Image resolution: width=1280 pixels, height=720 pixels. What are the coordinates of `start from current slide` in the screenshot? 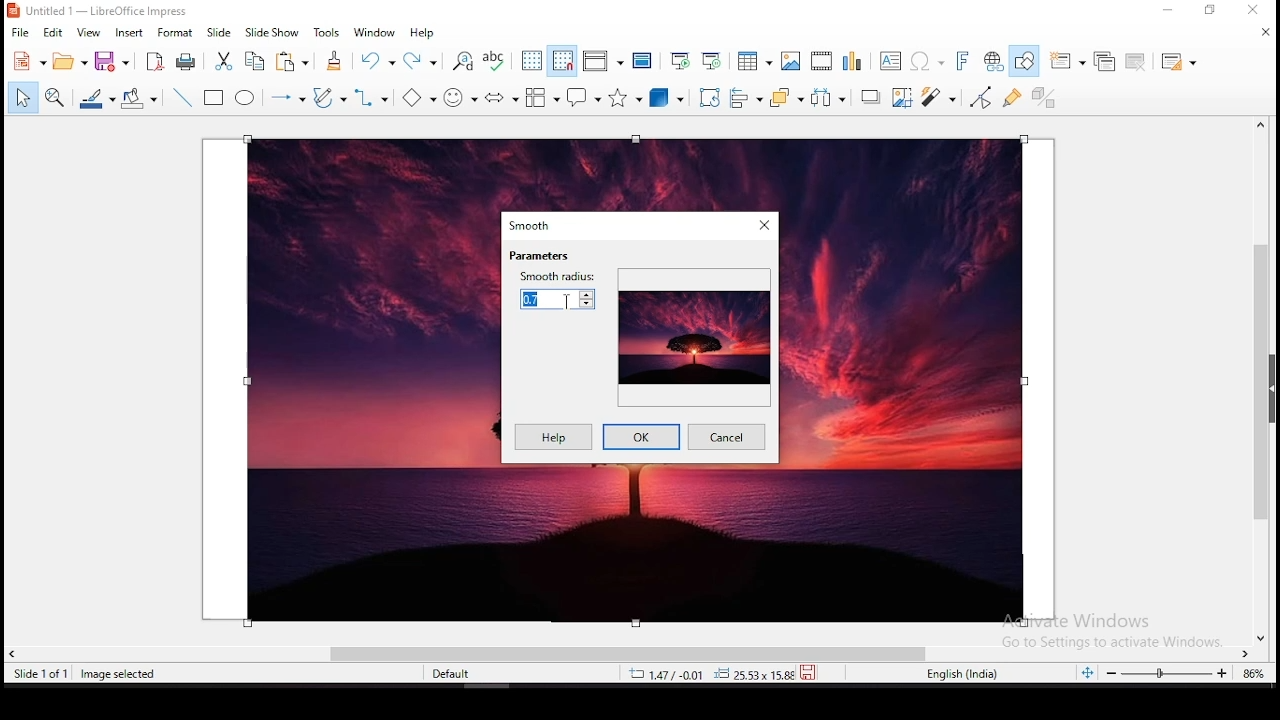 It's located at (712, 59).